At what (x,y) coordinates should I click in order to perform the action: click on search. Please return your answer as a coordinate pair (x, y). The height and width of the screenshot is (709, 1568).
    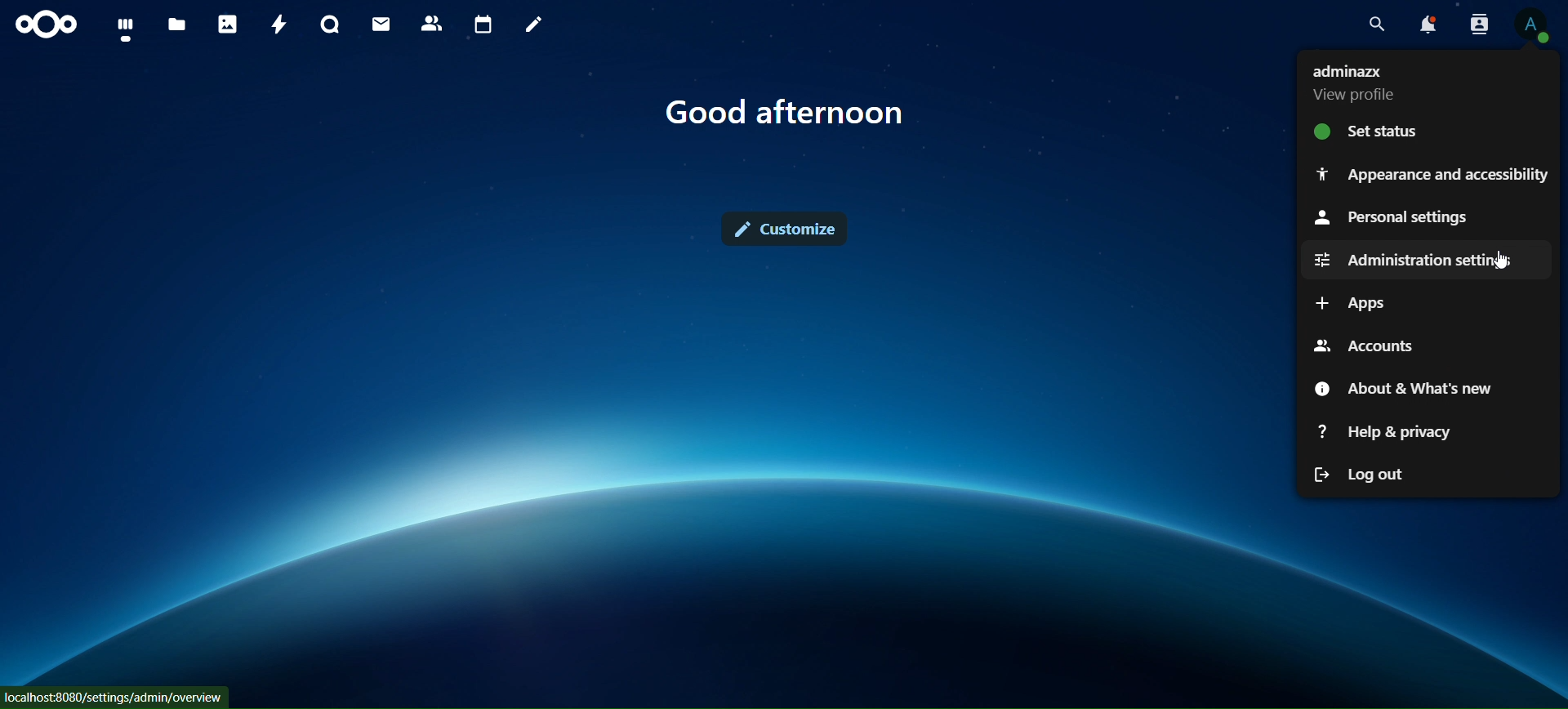
    Looking at the image, I should click on (1375, 25).